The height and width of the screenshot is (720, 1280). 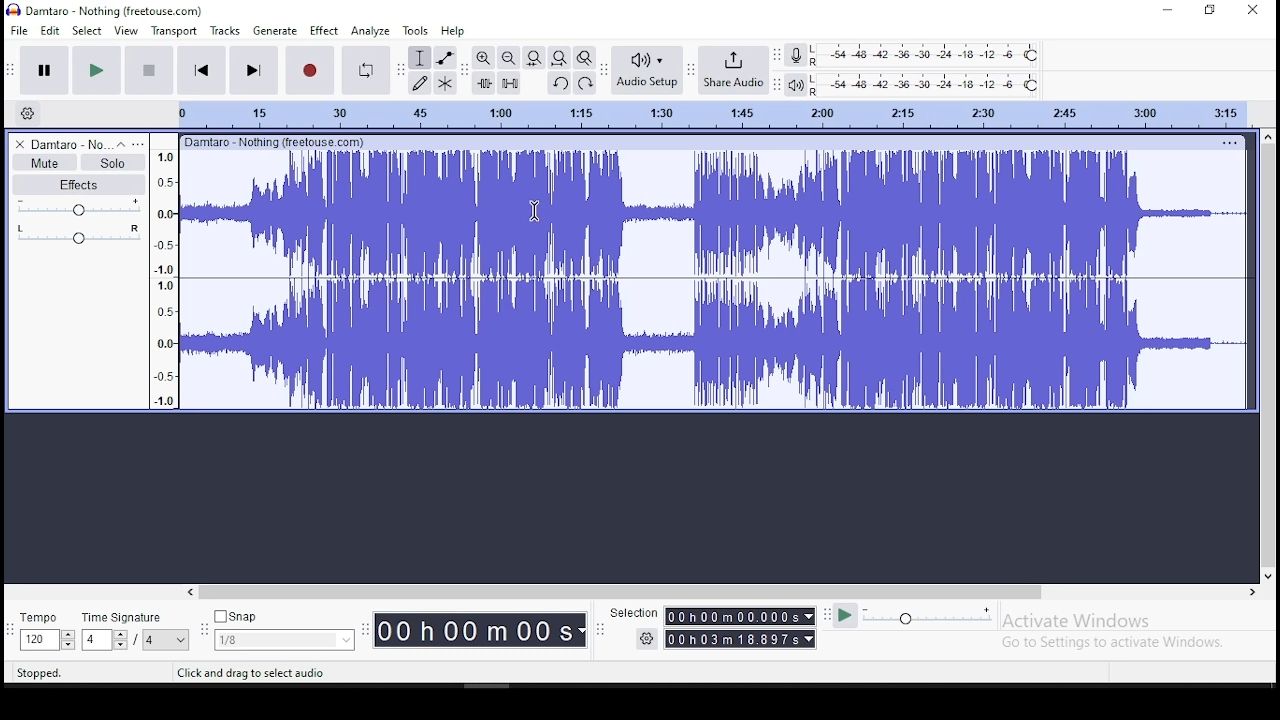 What do you see at coordinates (45, 163) in the screenshot?
I see `mute` at bounding box center [45, 163].